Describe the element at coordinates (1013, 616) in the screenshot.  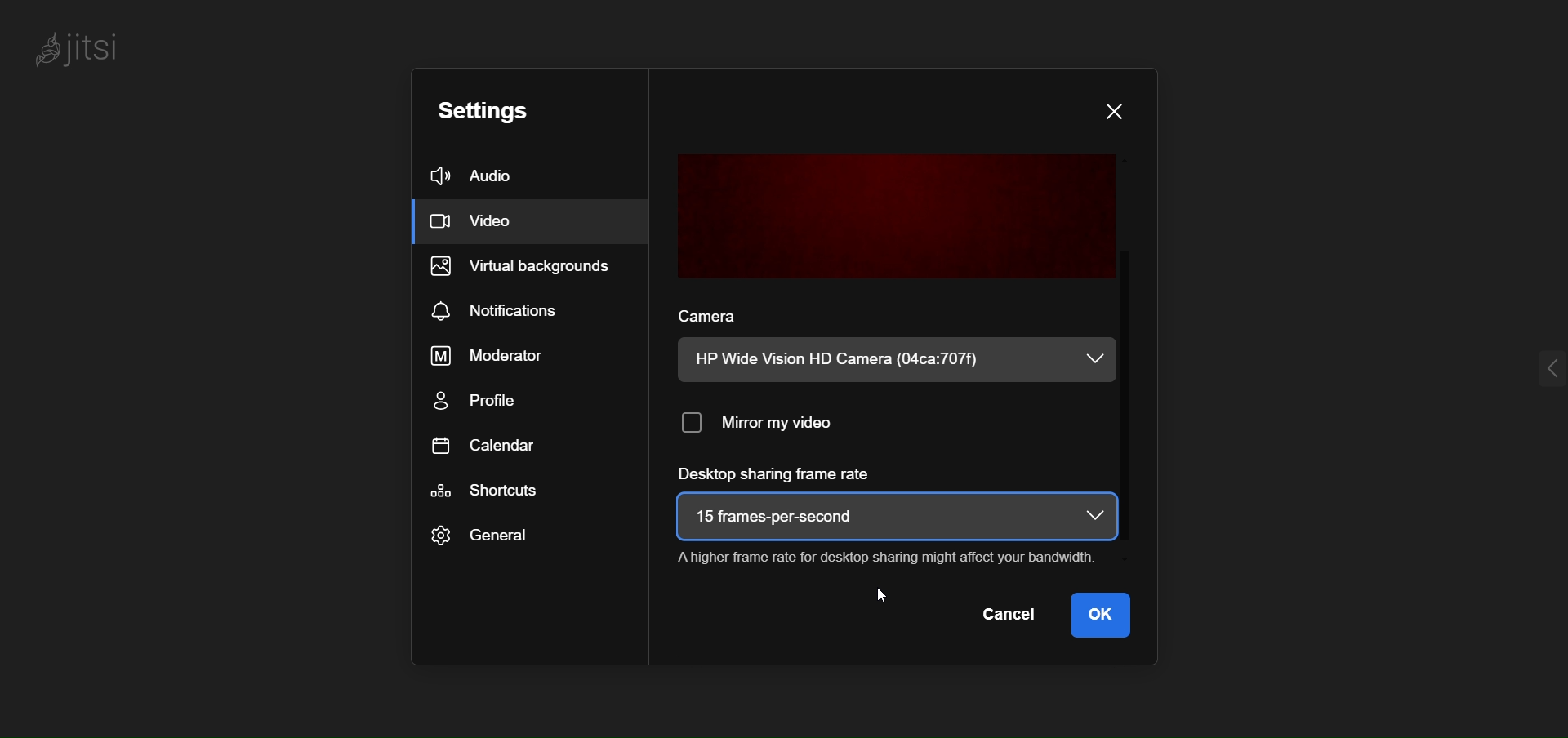
I see `cancel` at that location.